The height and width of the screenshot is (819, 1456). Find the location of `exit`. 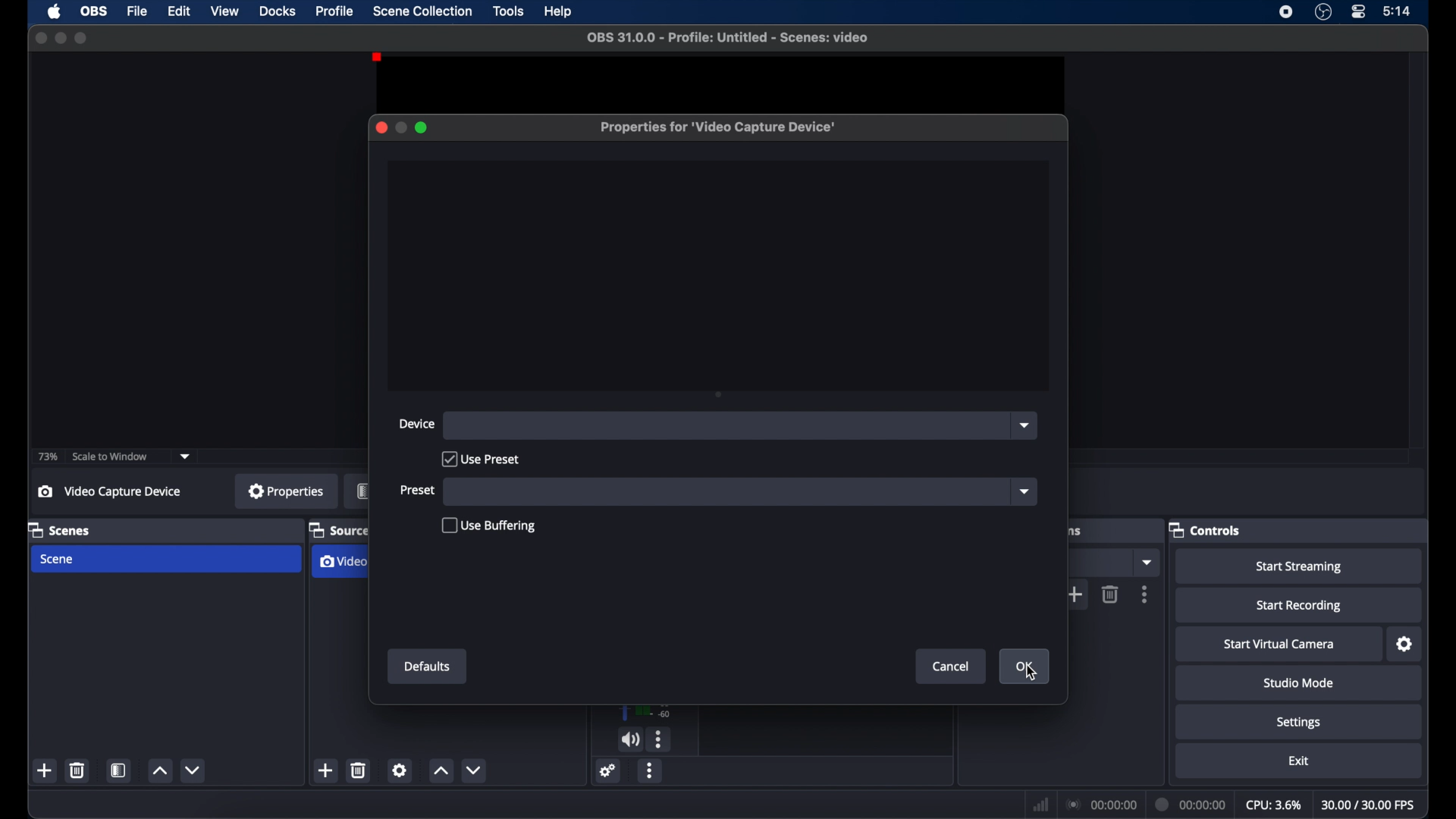

exit is located at coordinates (1298, 761).